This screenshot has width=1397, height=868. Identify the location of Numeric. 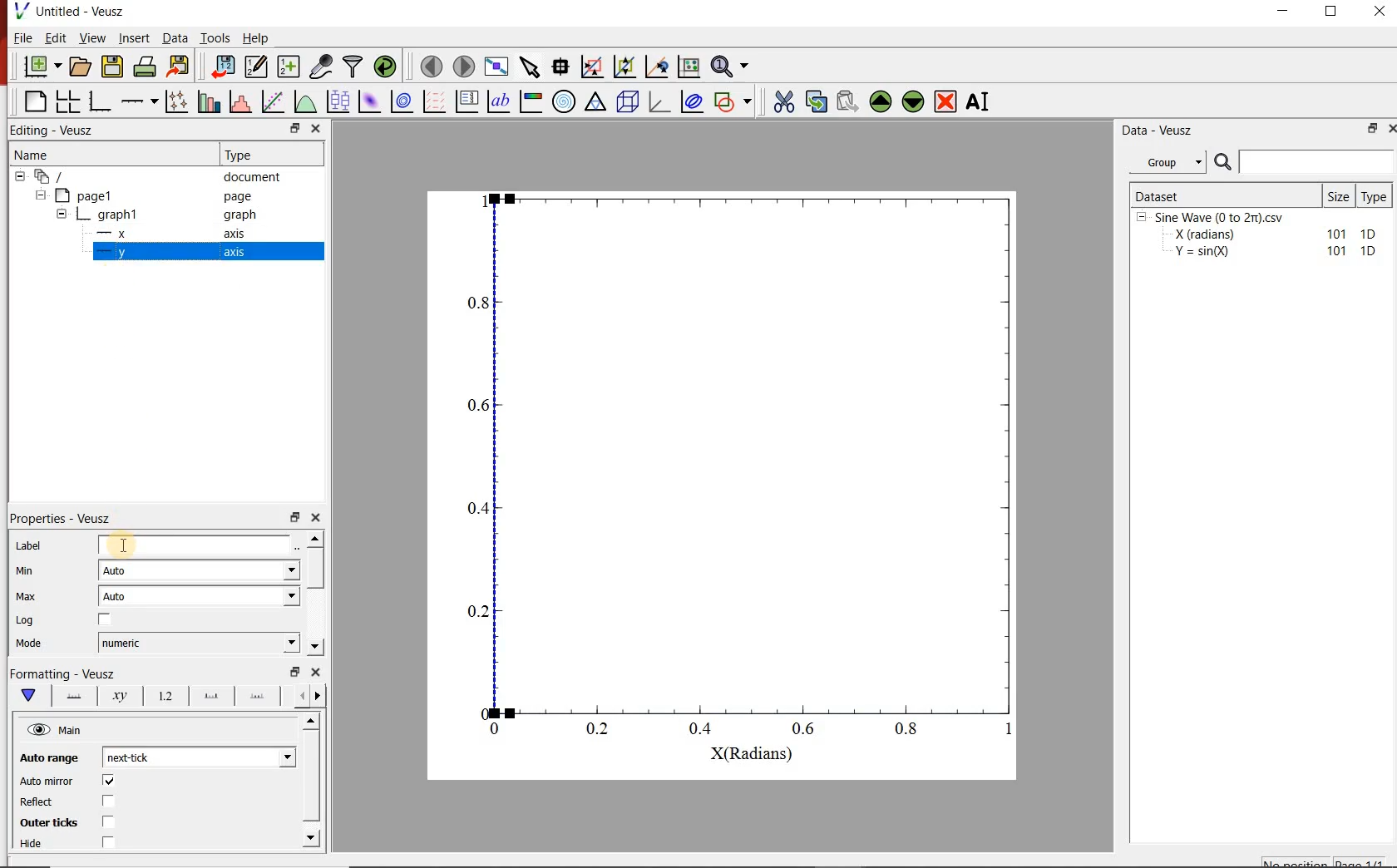
(199, 644).